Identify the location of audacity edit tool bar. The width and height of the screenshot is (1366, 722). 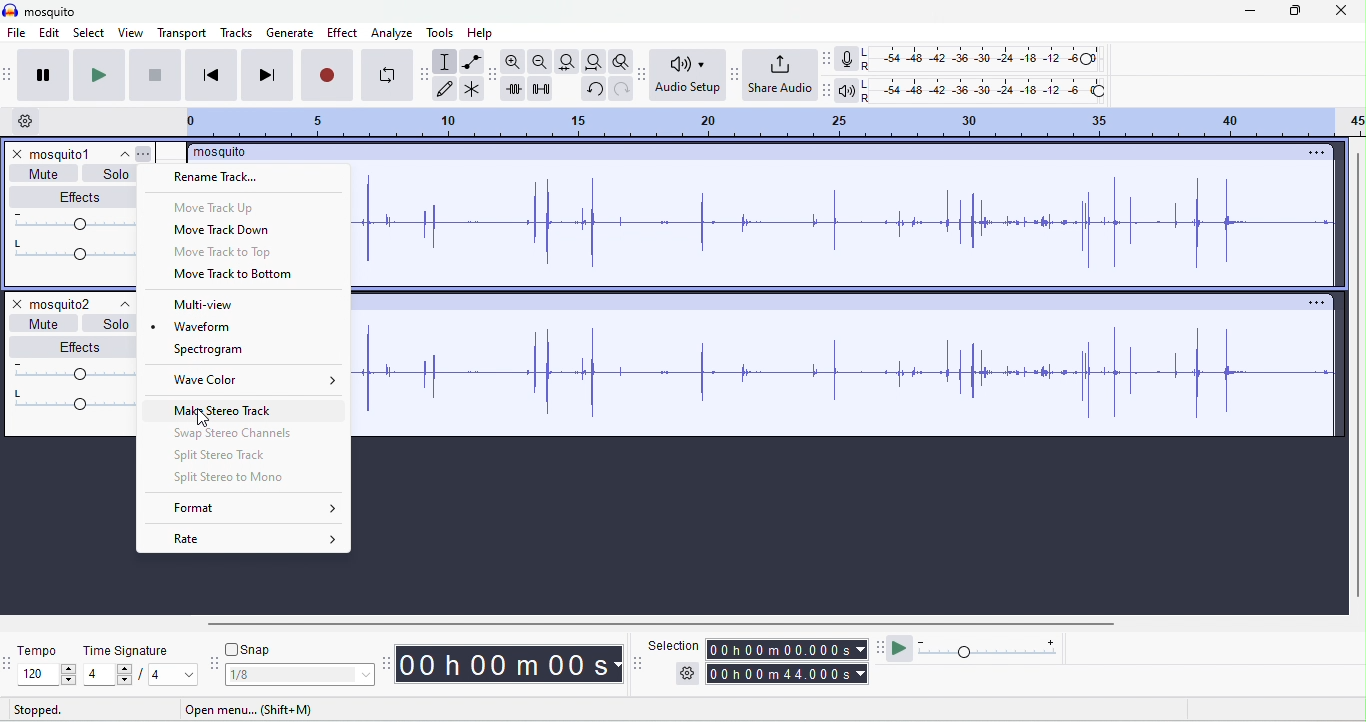
(495, 73).